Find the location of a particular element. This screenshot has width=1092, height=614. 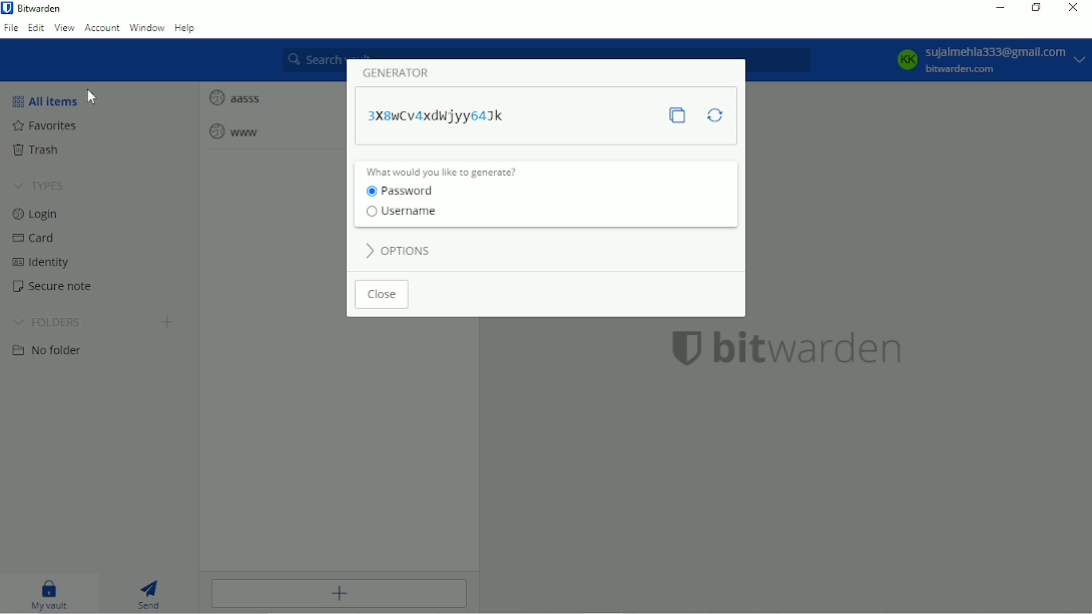

Help is located at coordinates (187, 28).